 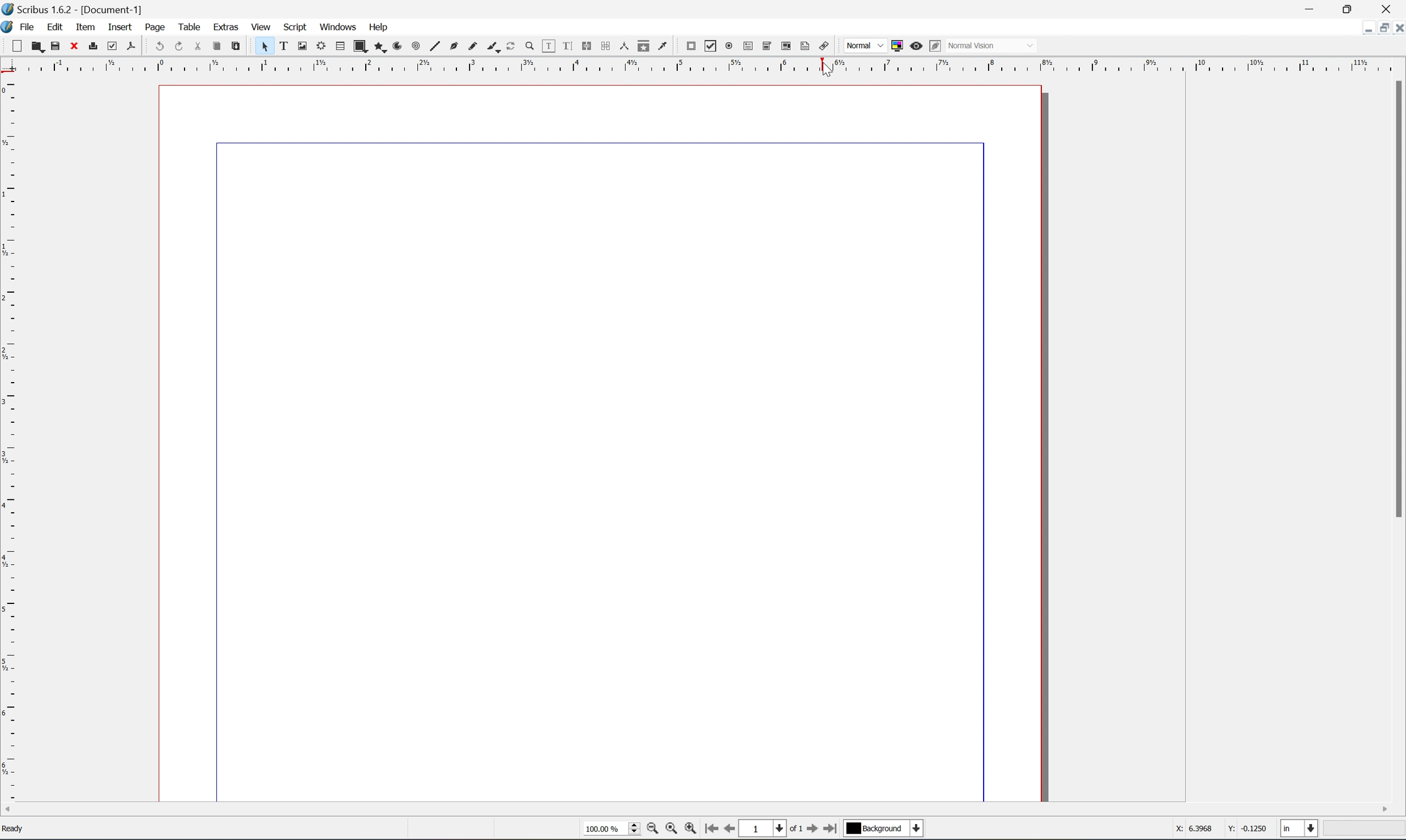 I want to click on help, so click(x=379, y=27).